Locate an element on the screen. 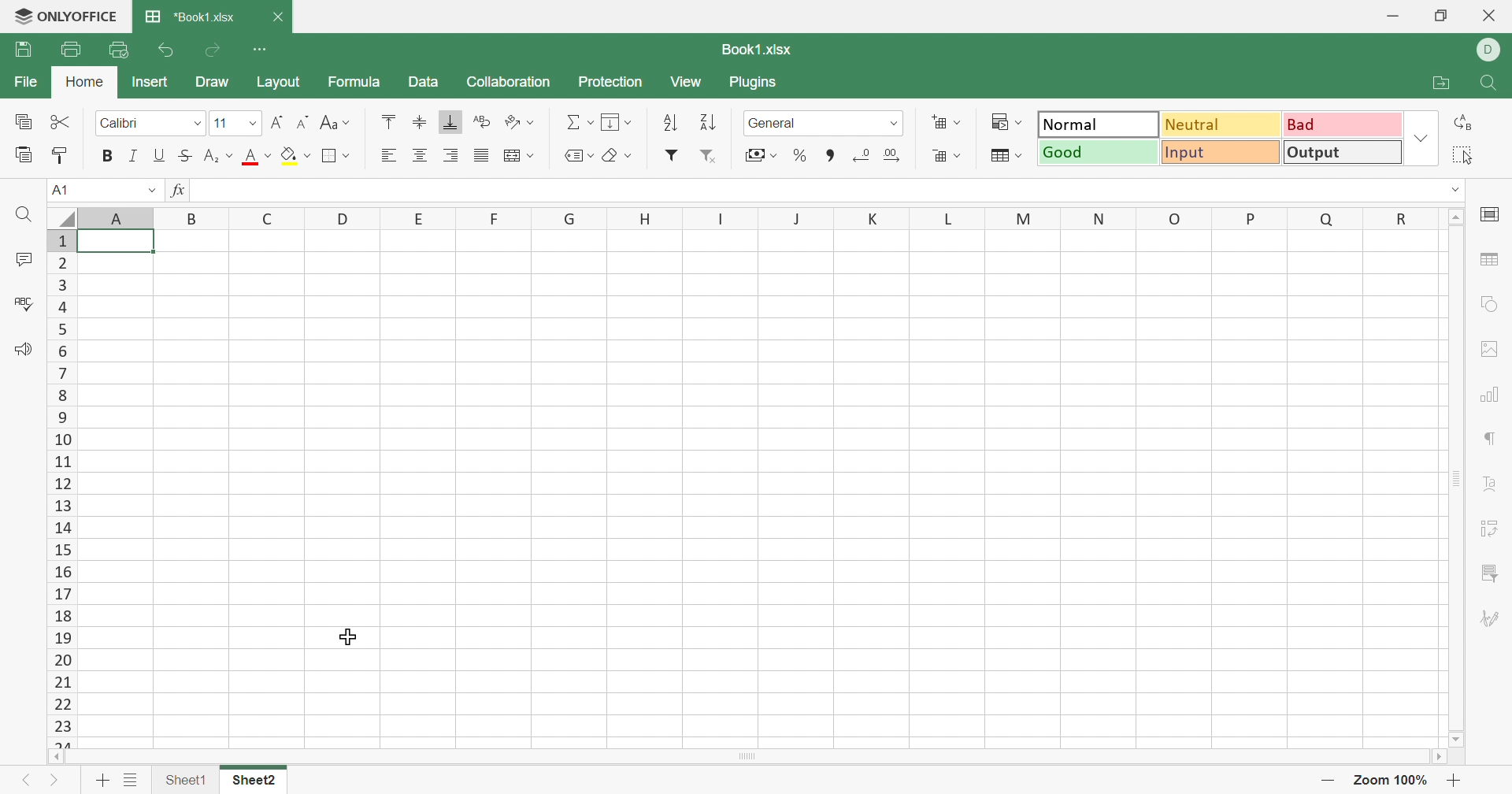  O is located at coordinates (1173, 217).